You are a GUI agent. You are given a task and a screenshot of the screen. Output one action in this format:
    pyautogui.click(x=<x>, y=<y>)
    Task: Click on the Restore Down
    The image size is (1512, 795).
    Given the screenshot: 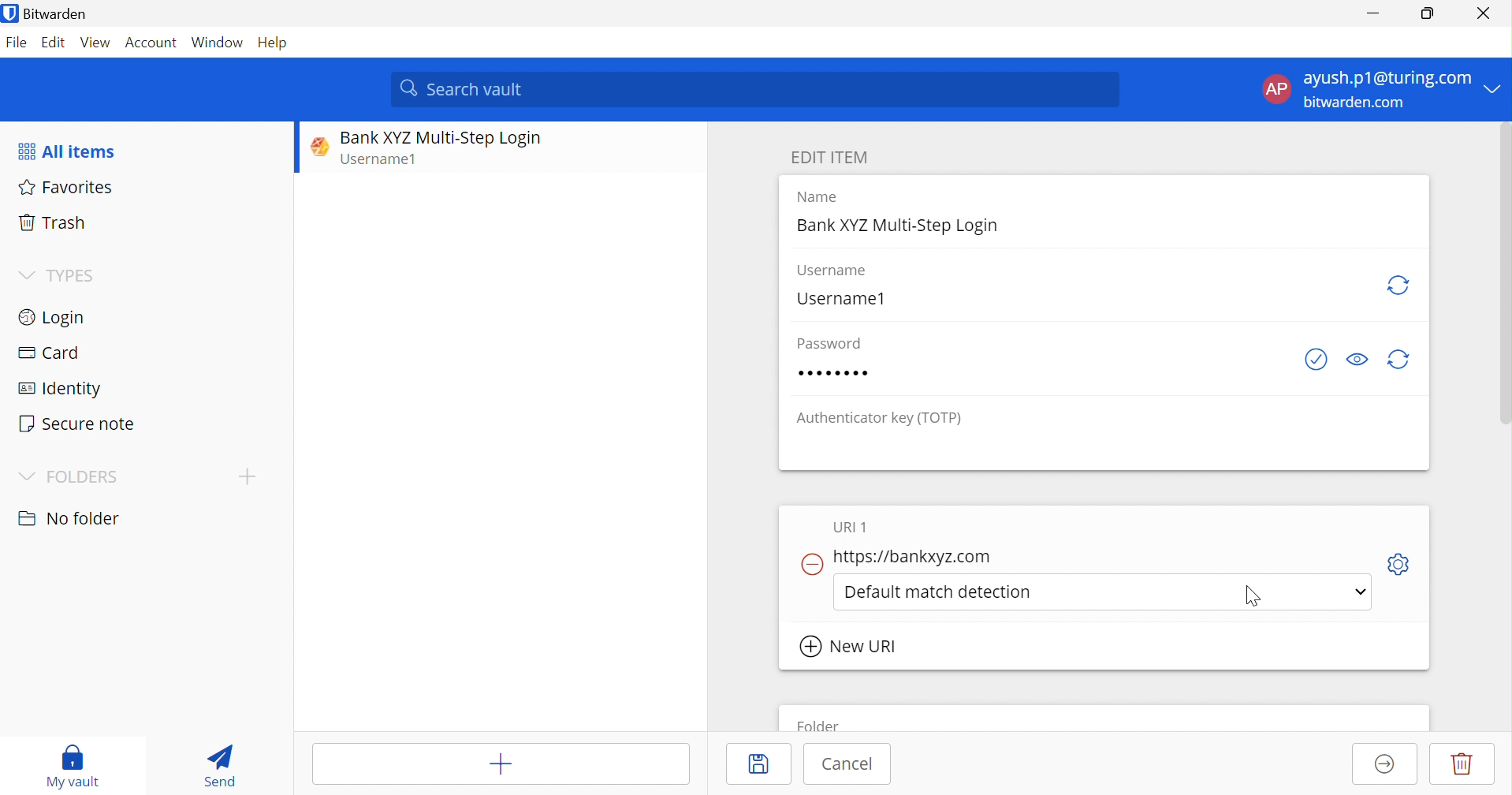 What is the action you would take?
    pyautogui.click(x=1428, y=11)
    